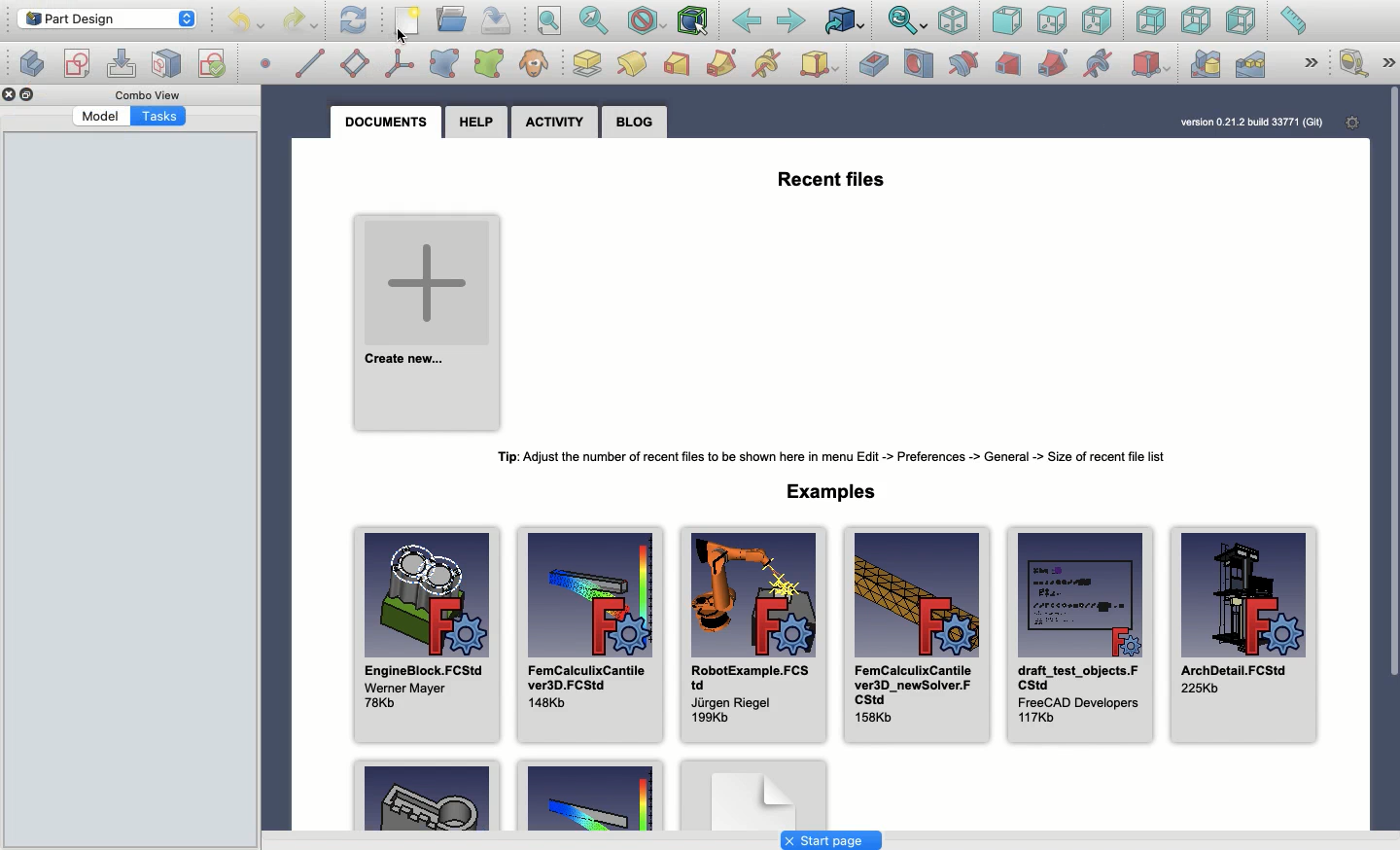 The width and height of the screenshot is (1400, 850). What do you see at coordinates (594, 20) in the screenshot?
I see `Fit selection` at bounding box center [594, 20].